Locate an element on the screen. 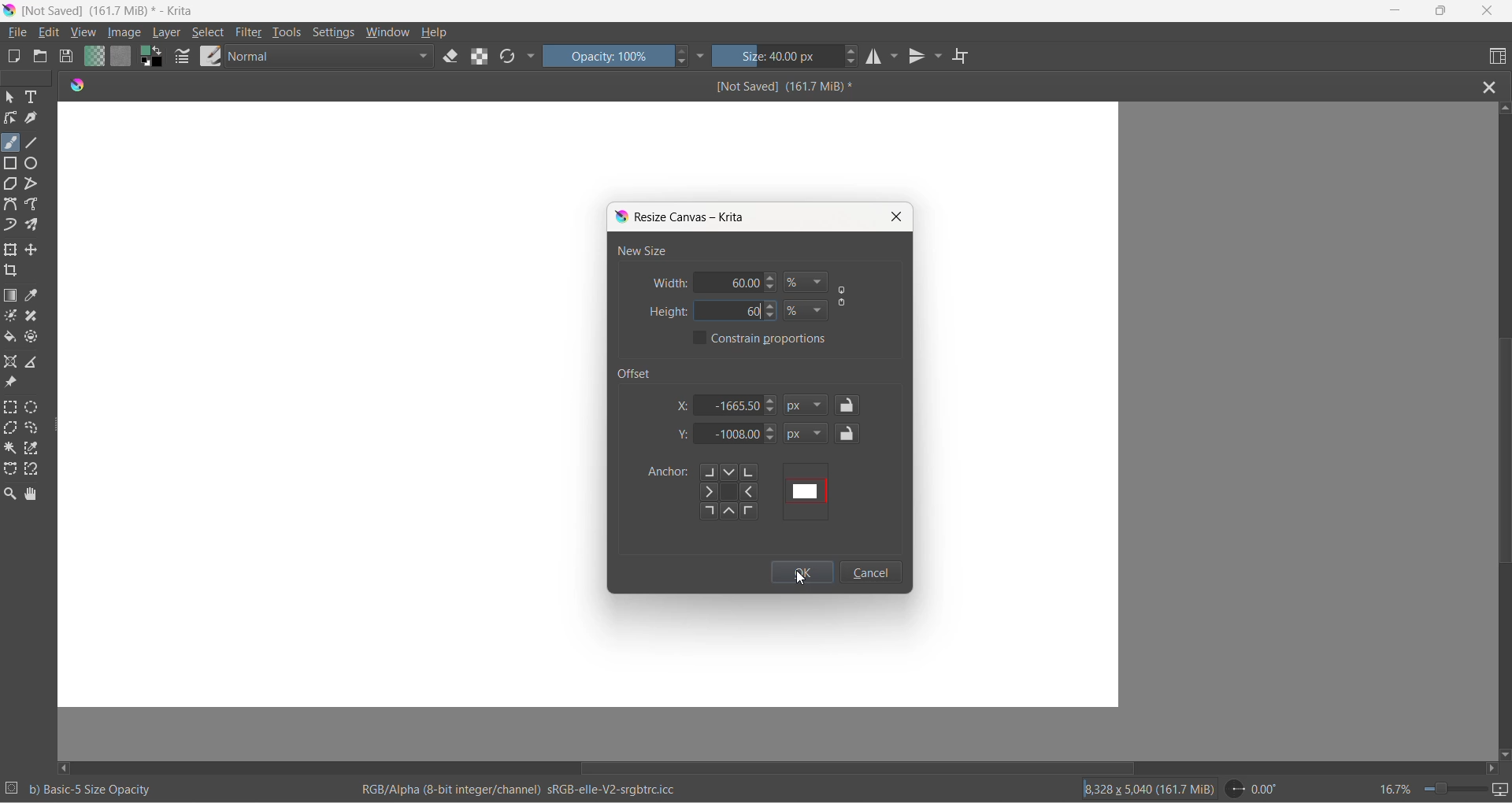  open document is located at coordinates (40, 57).